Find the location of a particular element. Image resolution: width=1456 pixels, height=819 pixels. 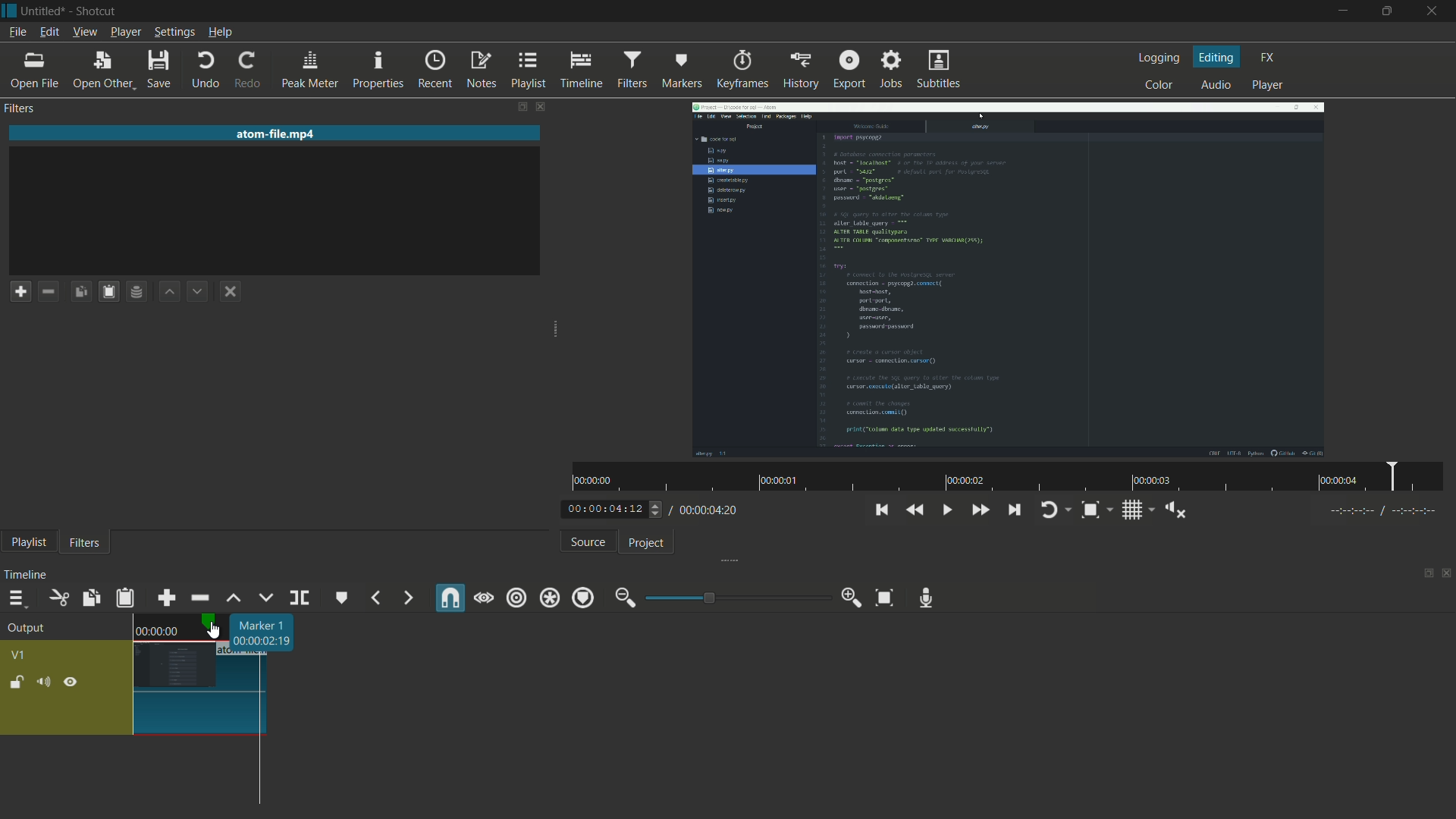

recent is located at coordinates (434, 69).